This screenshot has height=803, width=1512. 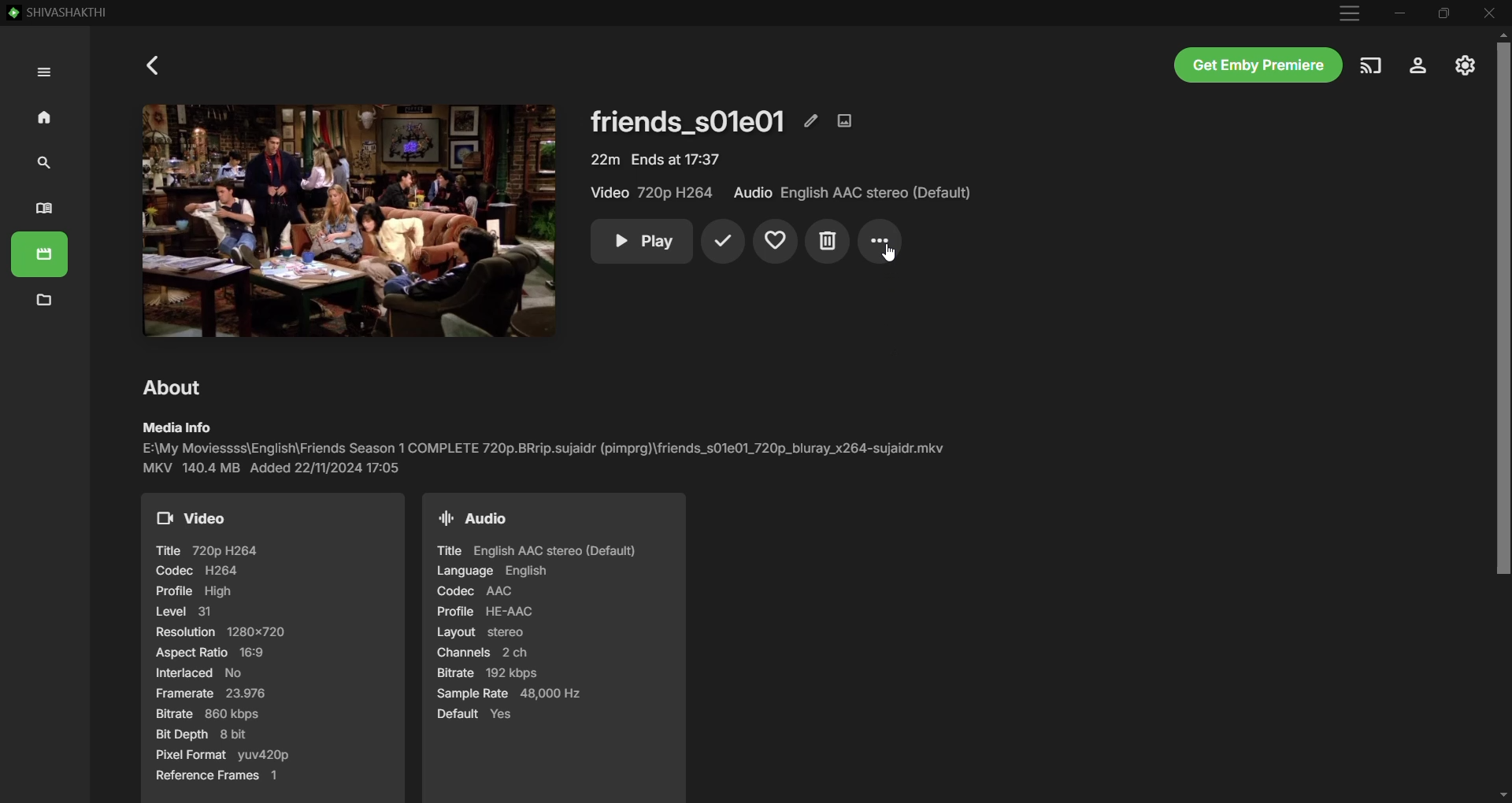 What do you see at coordinates (552, 647) in the screenshot?
I see `Audio details` at bounding box center [552, 647].